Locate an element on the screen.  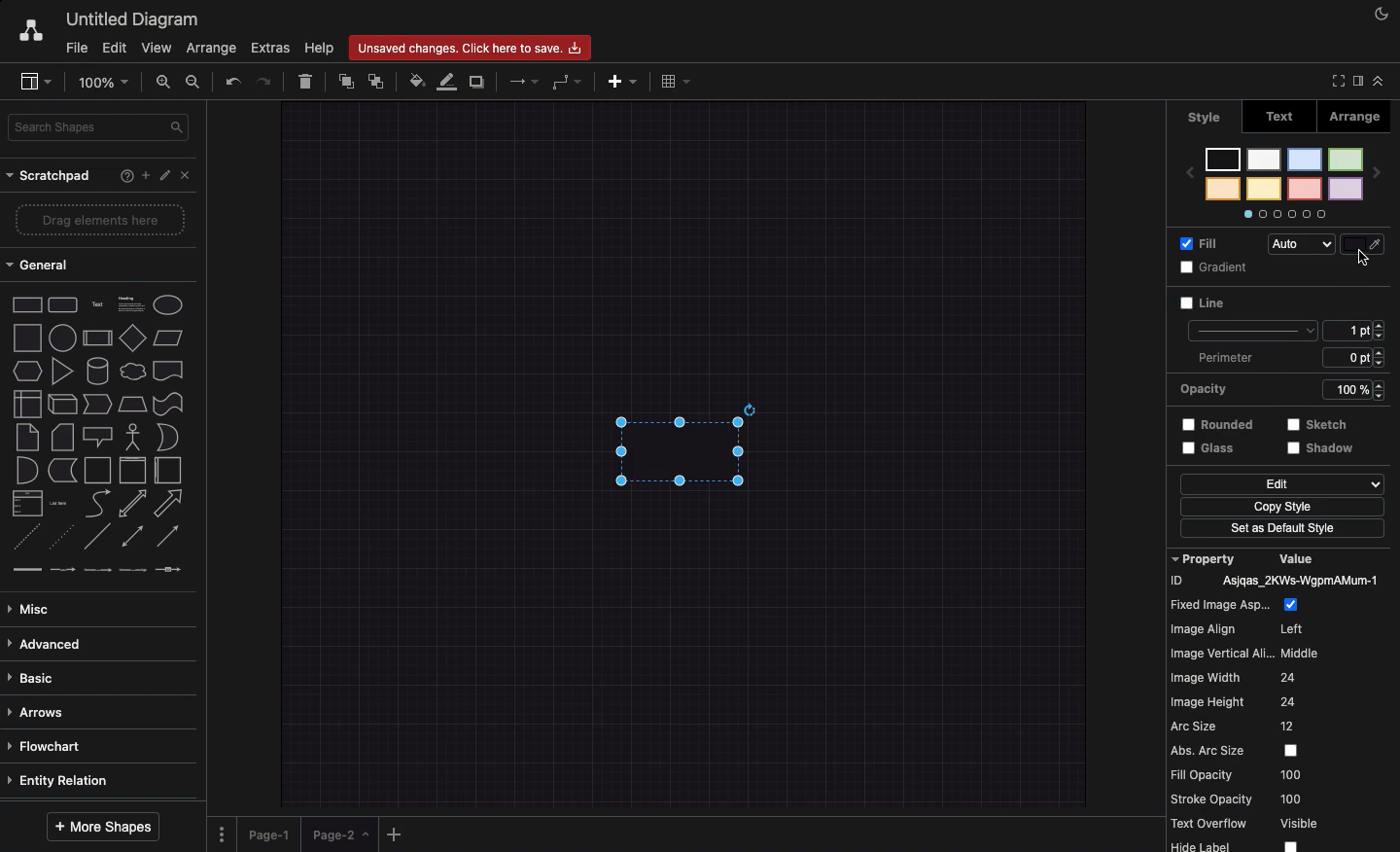
Arrange is located at coordinates (1364, 115).